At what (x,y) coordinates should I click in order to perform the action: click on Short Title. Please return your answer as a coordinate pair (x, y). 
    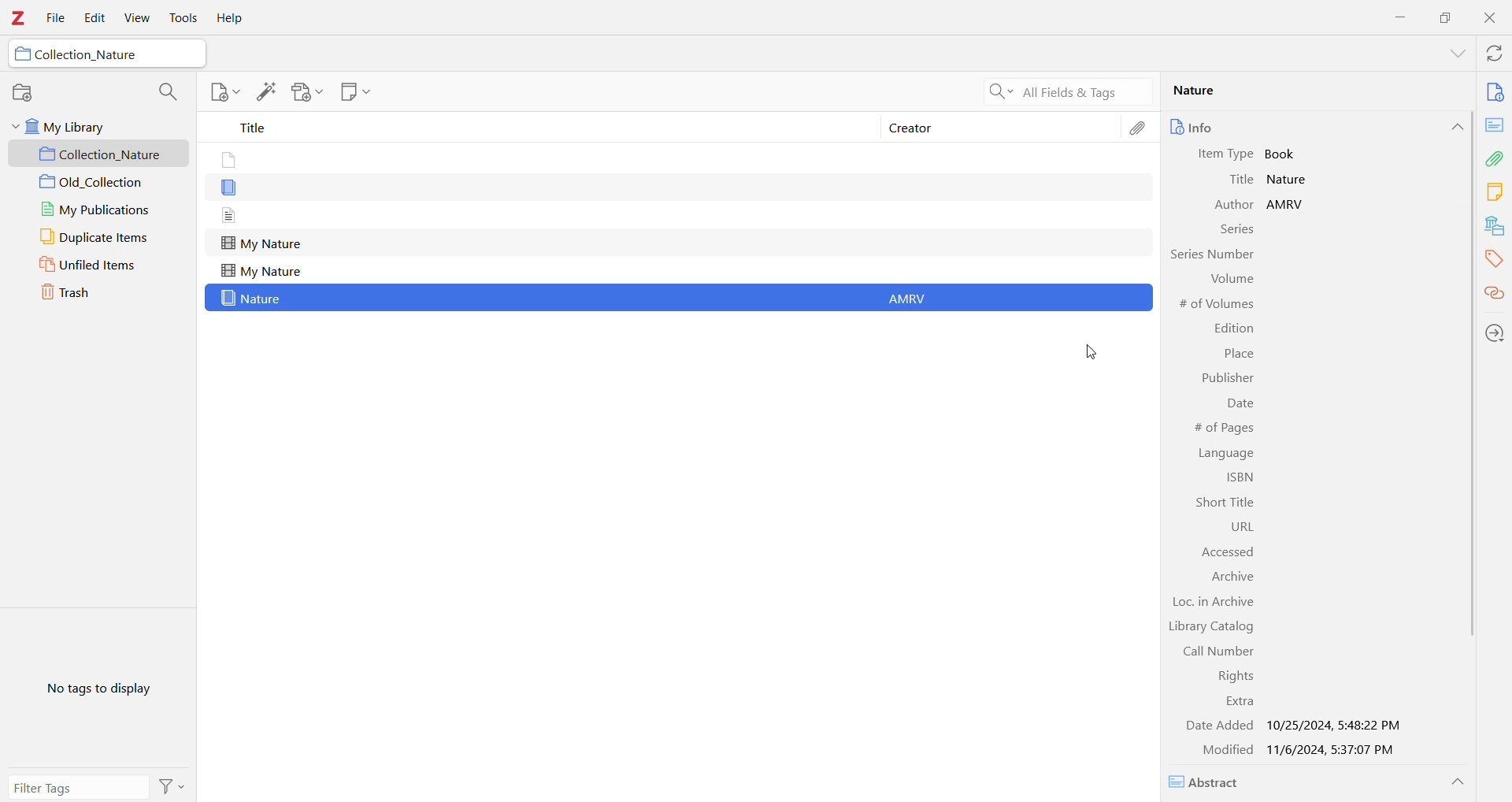
    Looking at the image, I should click on (1221, 503).